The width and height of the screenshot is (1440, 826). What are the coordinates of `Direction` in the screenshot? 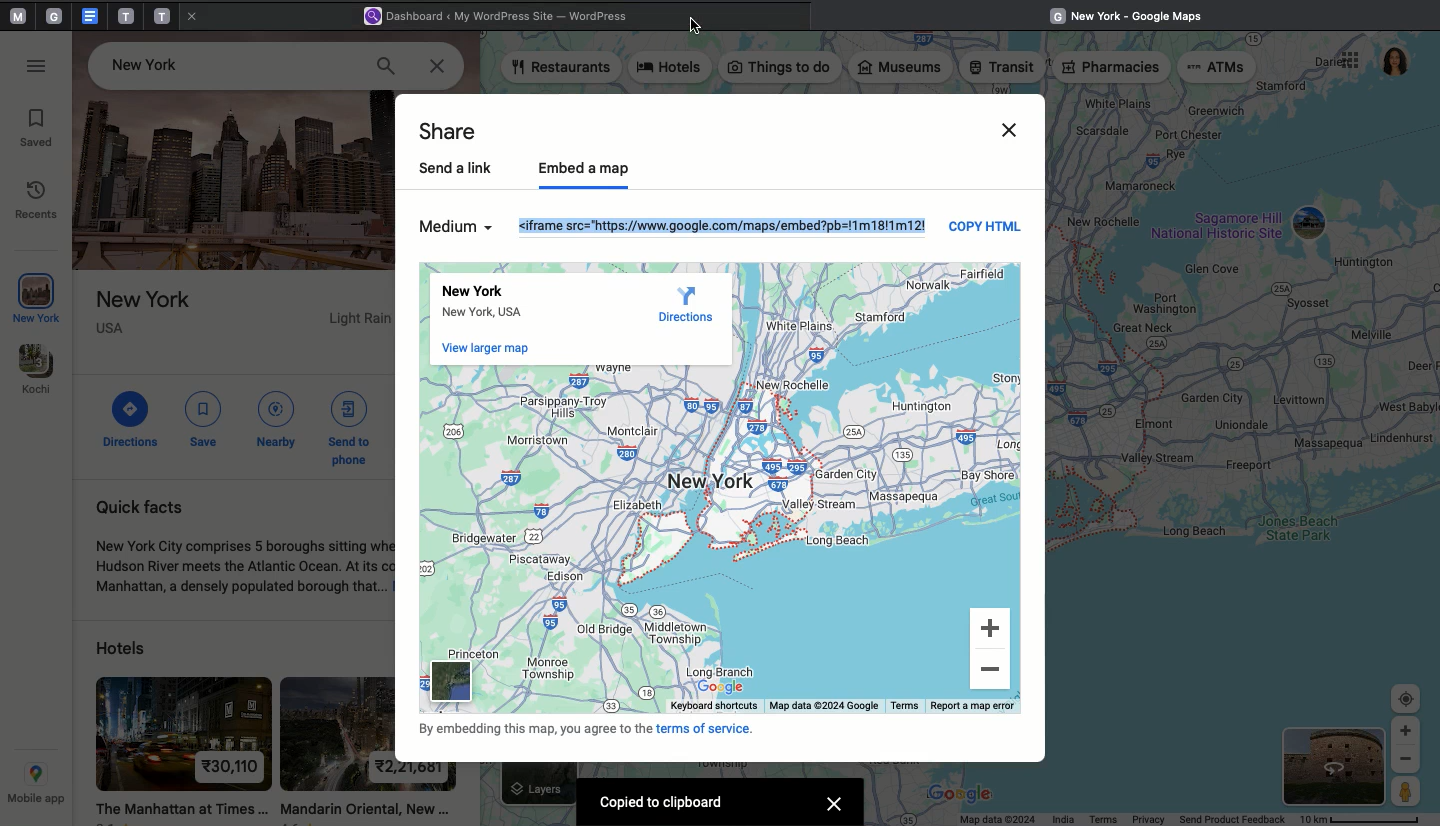 It's located at (679, 304).